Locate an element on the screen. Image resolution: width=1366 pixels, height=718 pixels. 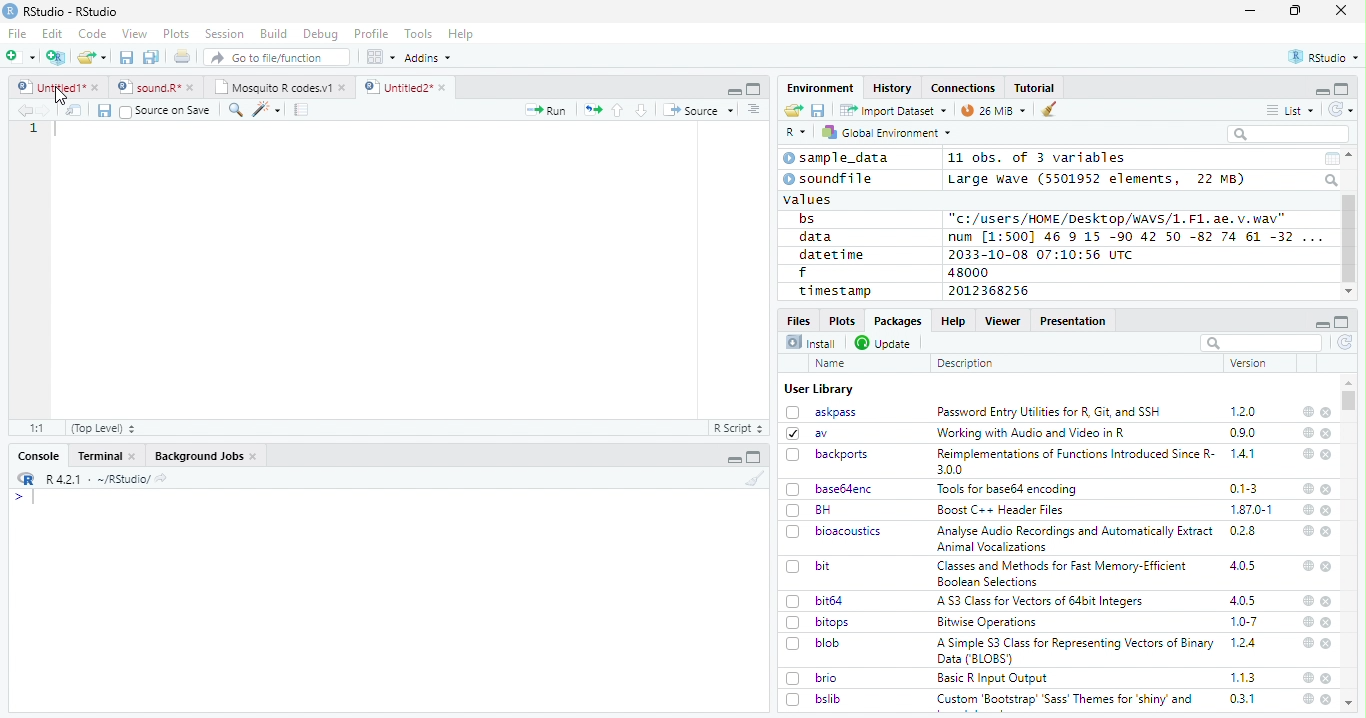
1.0-7 is located at coordinates (1245, 622).